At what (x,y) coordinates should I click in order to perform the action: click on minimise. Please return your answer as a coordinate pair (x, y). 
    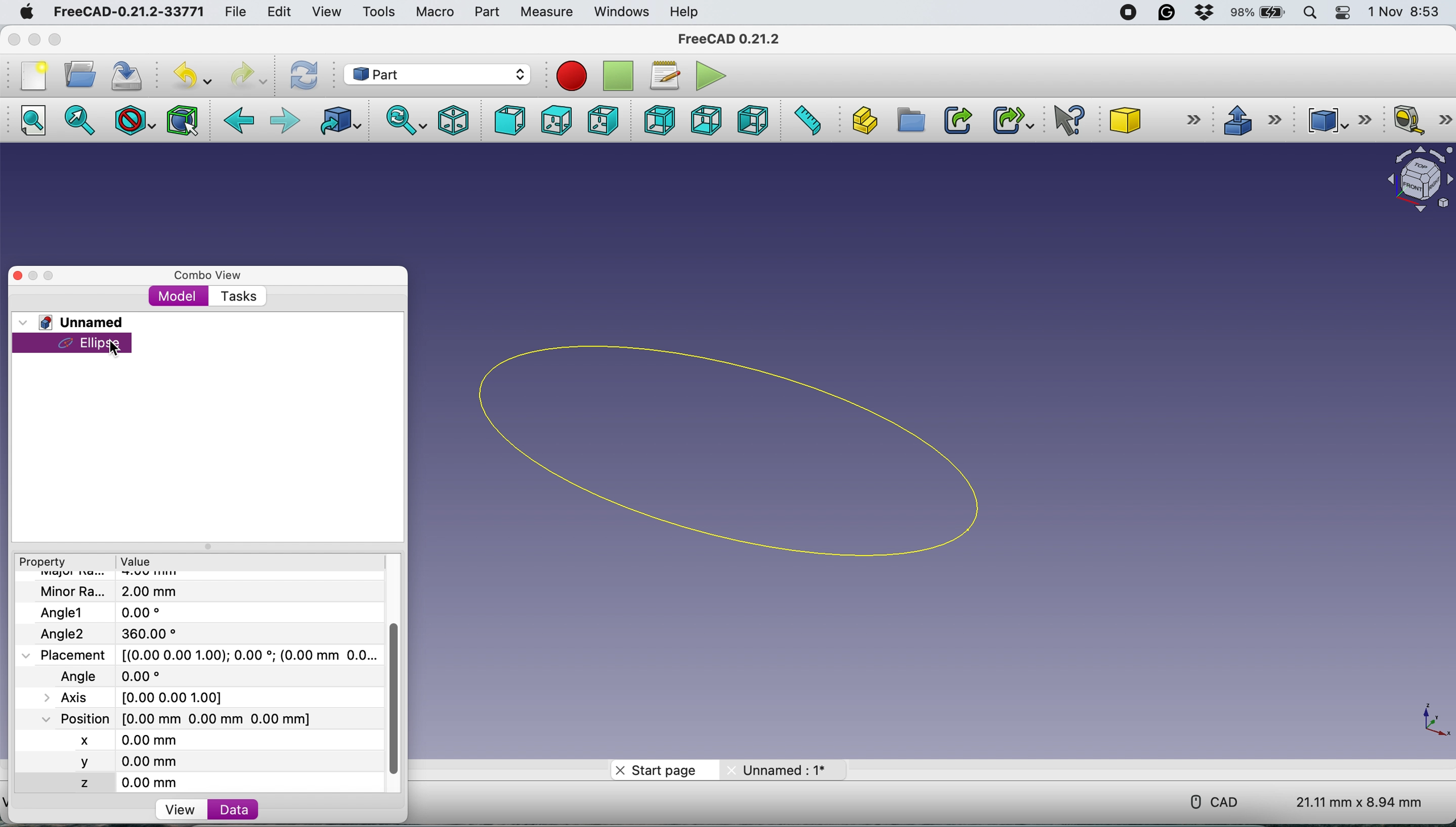
    Looking at the image, I should click on (32, 40).